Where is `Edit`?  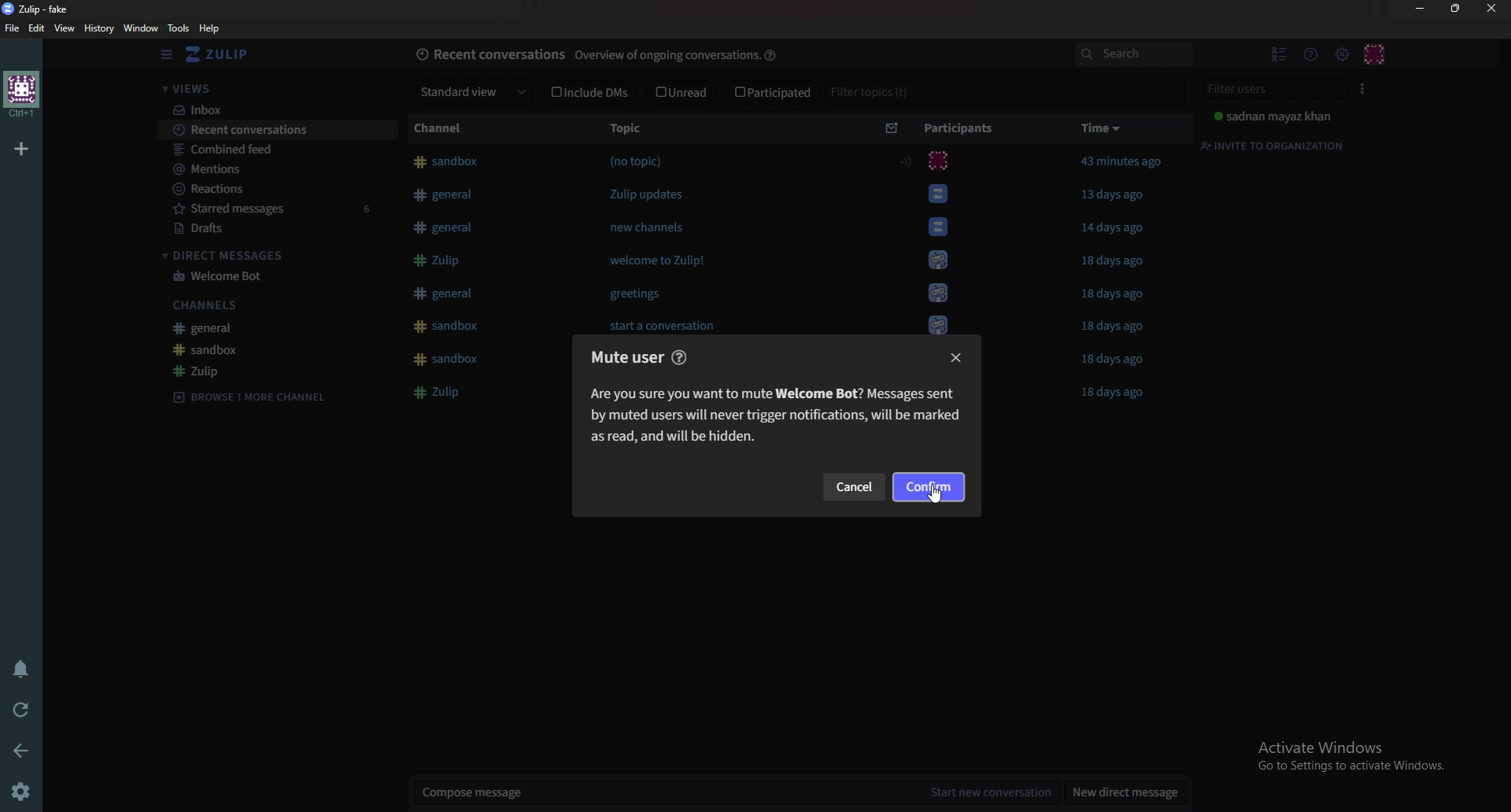 Edit is located at coordinates (37, 28).